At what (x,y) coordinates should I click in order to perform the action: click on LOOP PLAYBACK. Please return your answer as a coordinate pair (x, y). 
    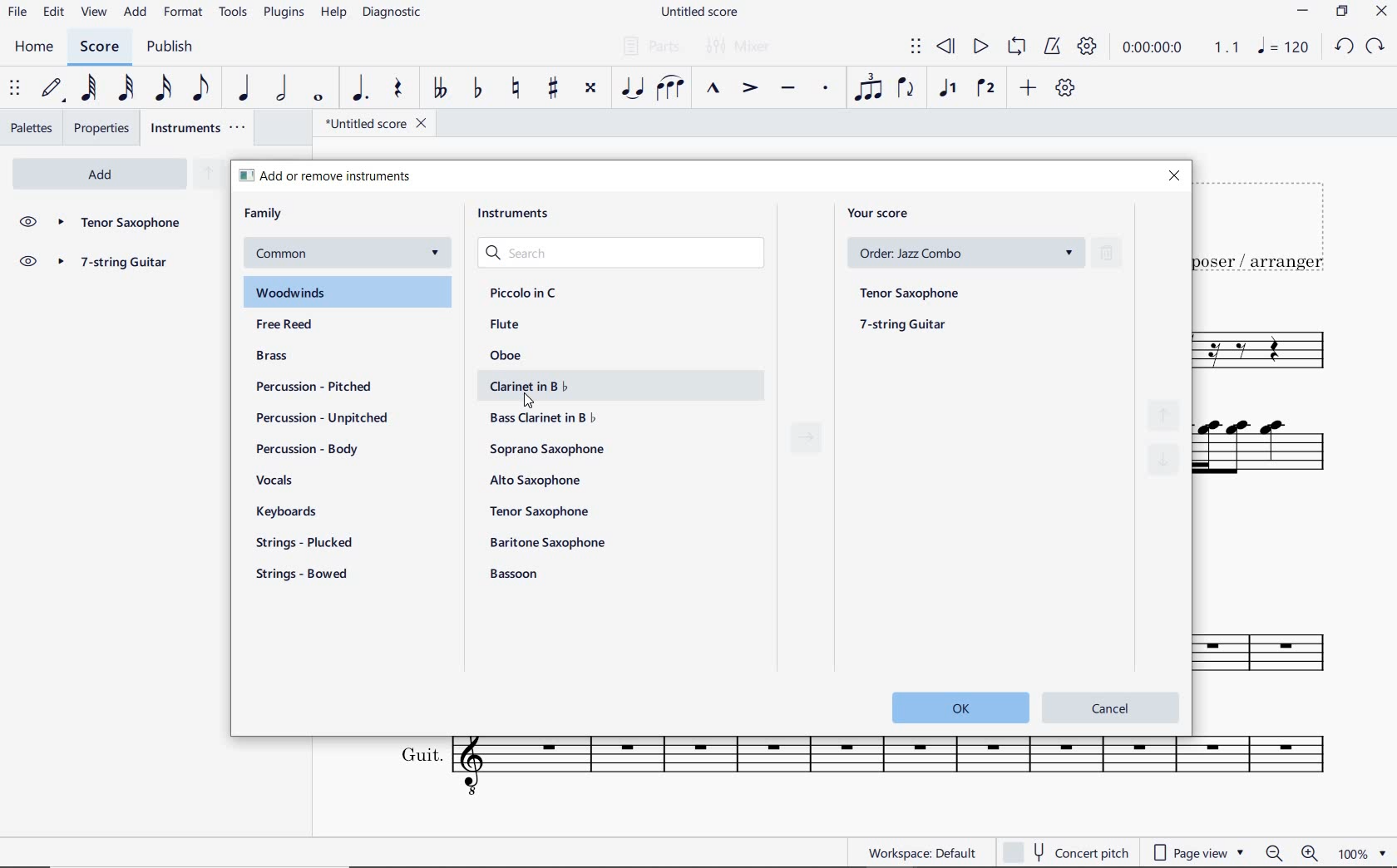
    Looking at the image, I should click on (1014, 47).